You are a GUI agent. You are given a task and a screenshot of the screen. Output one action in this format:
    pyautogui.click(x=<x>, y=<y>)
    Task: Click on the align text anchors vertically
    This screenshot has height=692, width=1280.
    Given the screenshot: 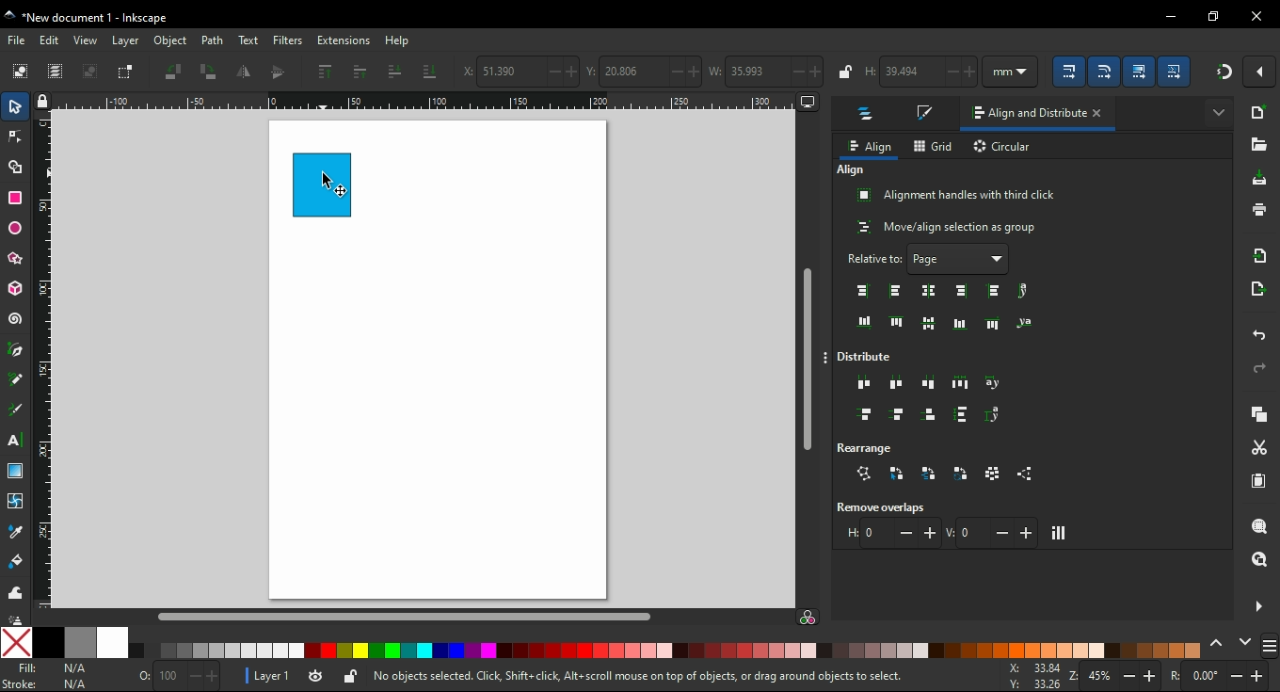 What is the action you would take?
    pyautogui.click(x=1023, y=322)
    